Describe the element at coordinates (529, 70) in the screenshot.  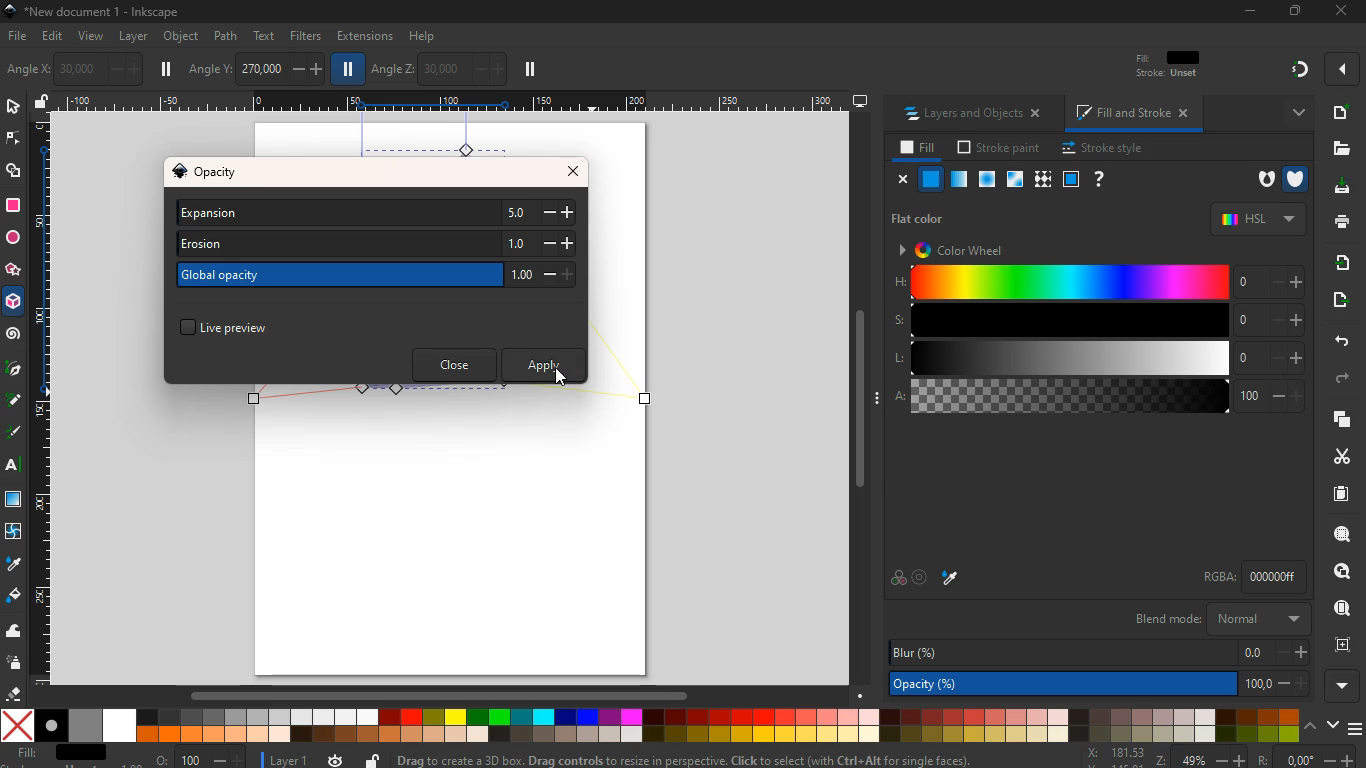
I see `pause` at that location.